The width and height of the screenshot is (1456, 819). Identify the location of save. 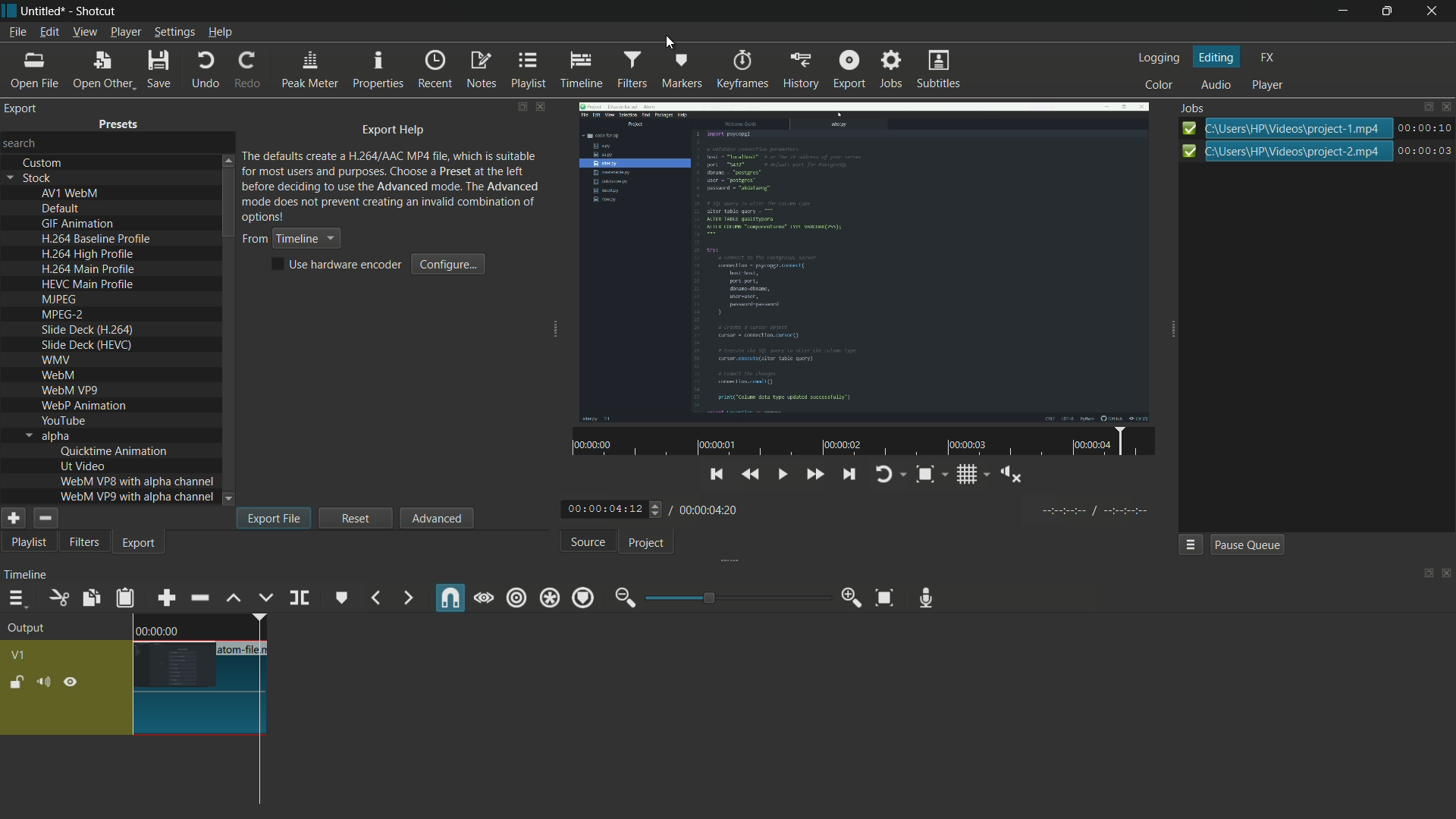
(161, 68).